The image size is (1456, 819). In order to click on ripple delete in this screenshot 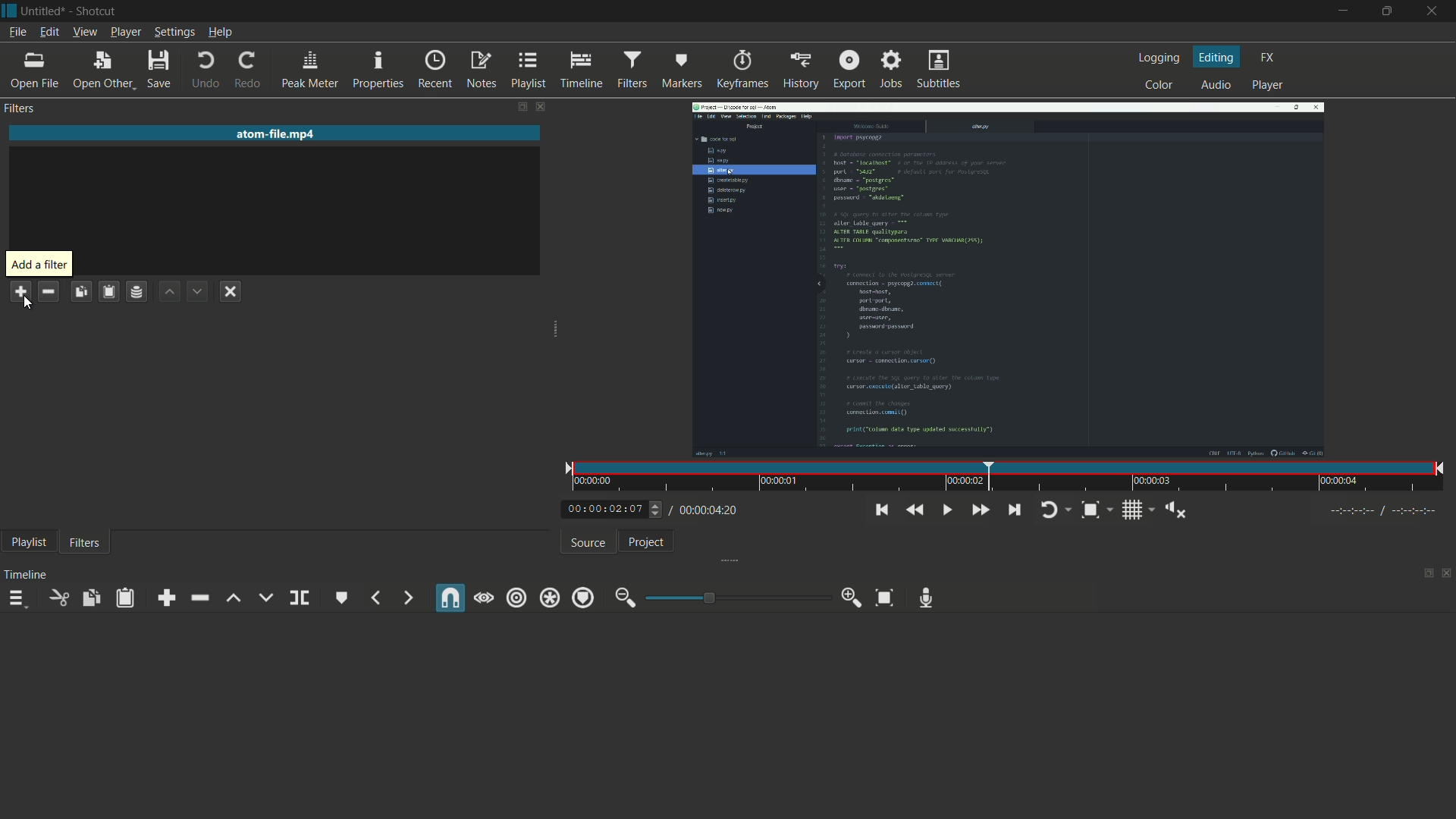, I will do `click(199, 598)`.